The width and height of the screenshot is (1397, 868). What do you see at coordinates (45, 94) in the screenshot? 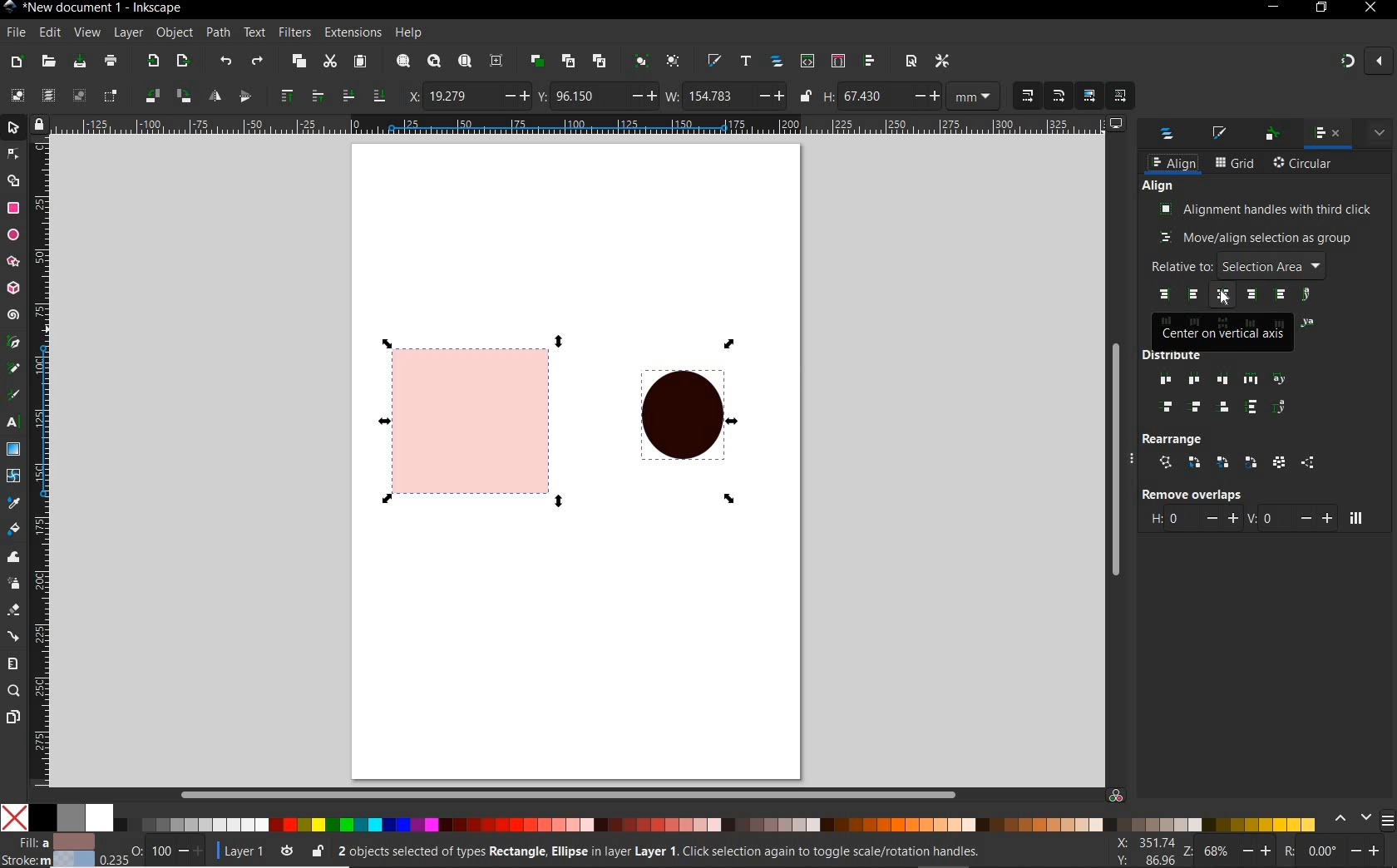
I see `select all in all layers` at bounding box center [45, 94].